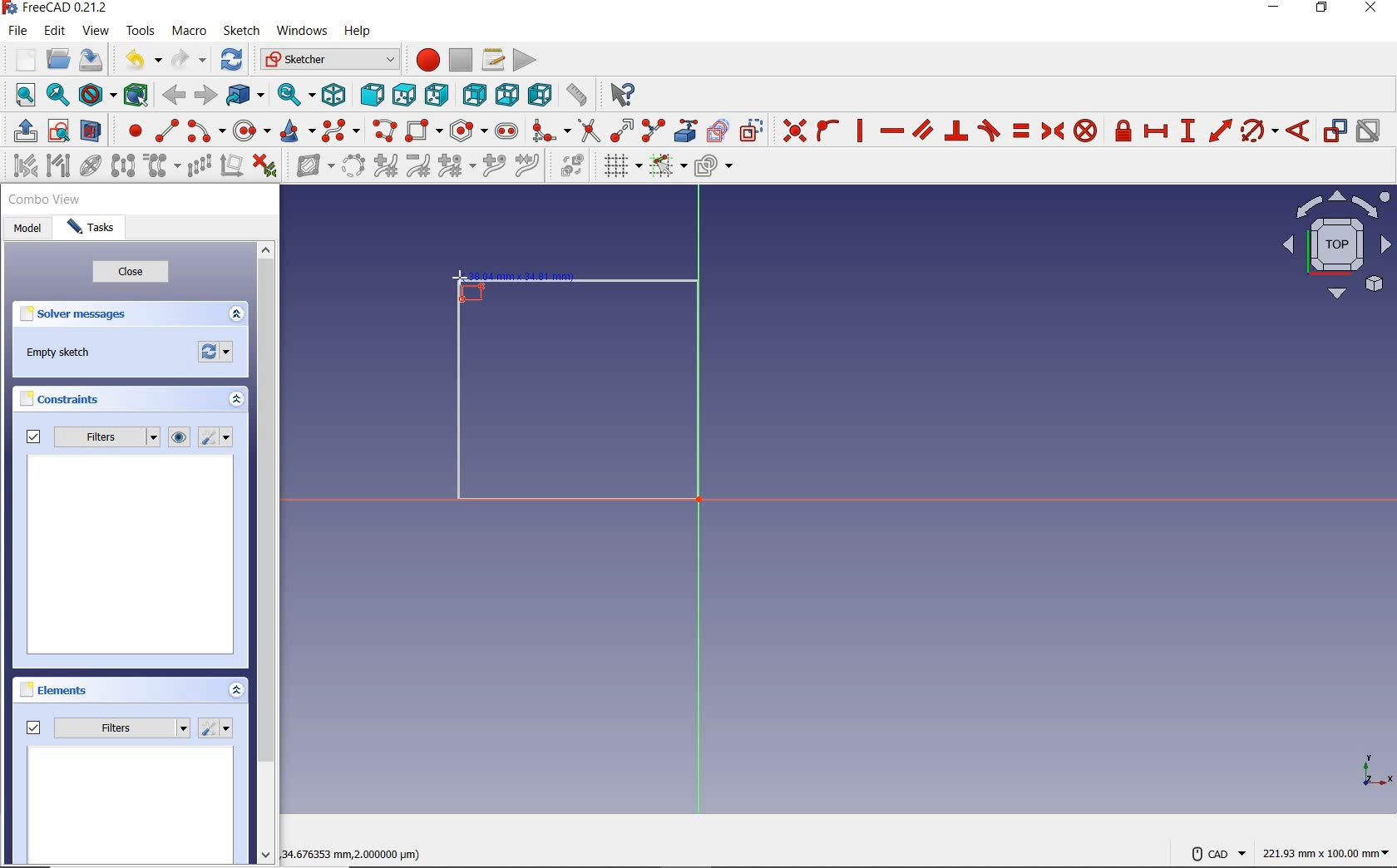 The height and width of the screenshot is (868, 1397). I want to click on macros, so click(493, 60).